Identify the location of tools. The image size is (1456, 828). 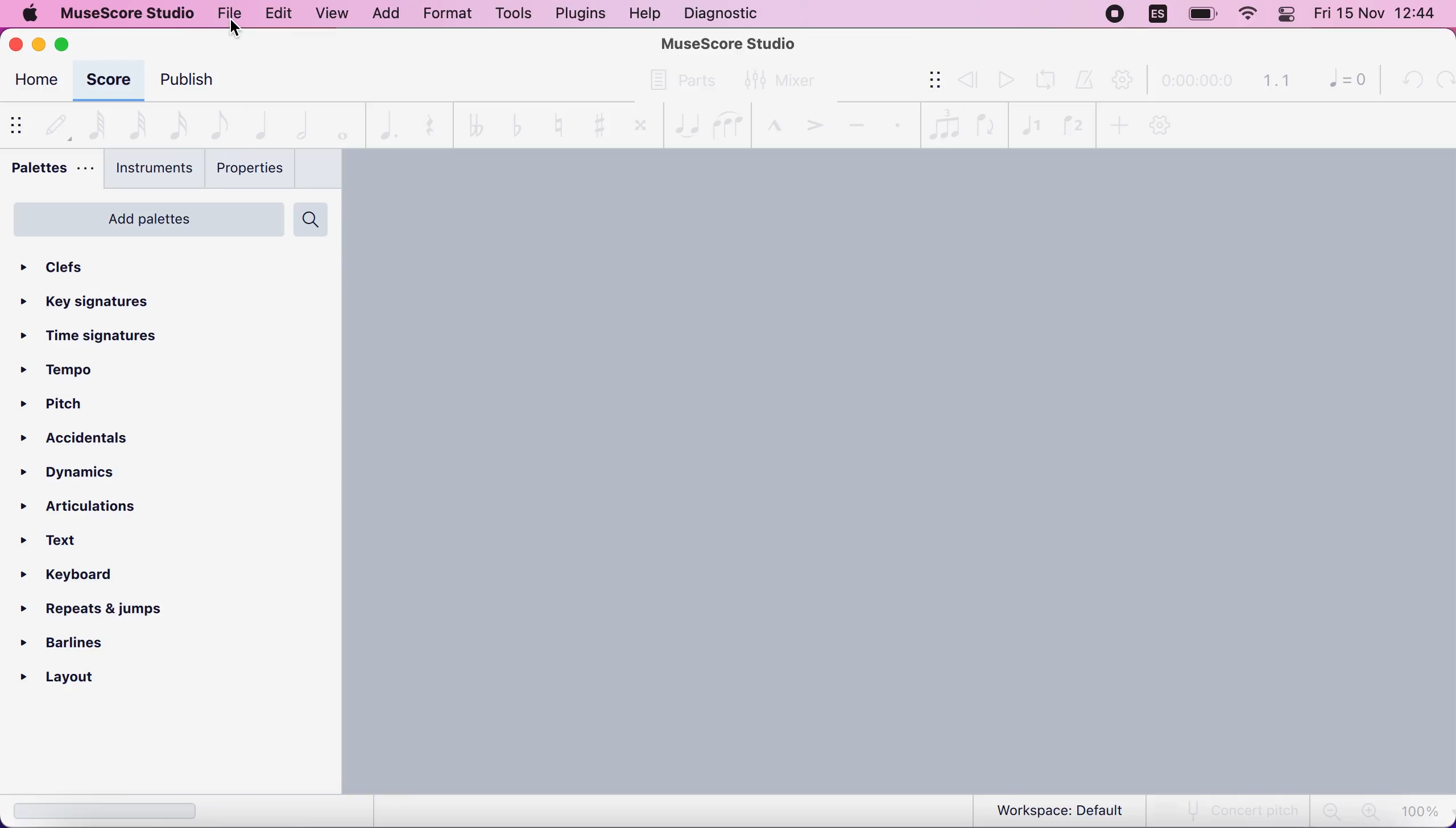
(508, 14).